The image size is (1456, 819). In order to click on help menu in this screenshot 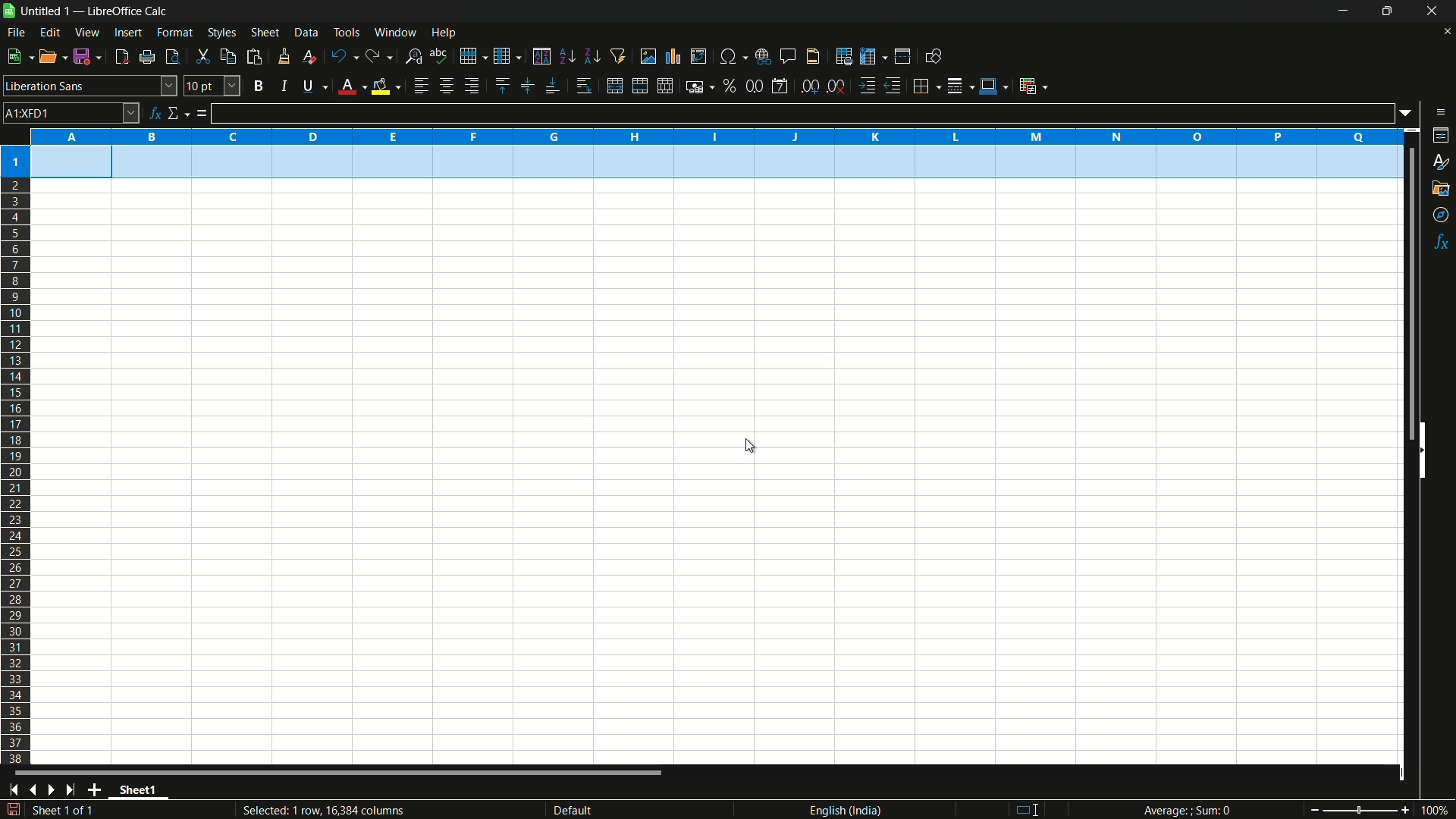, I will do `click(445, 33)`.